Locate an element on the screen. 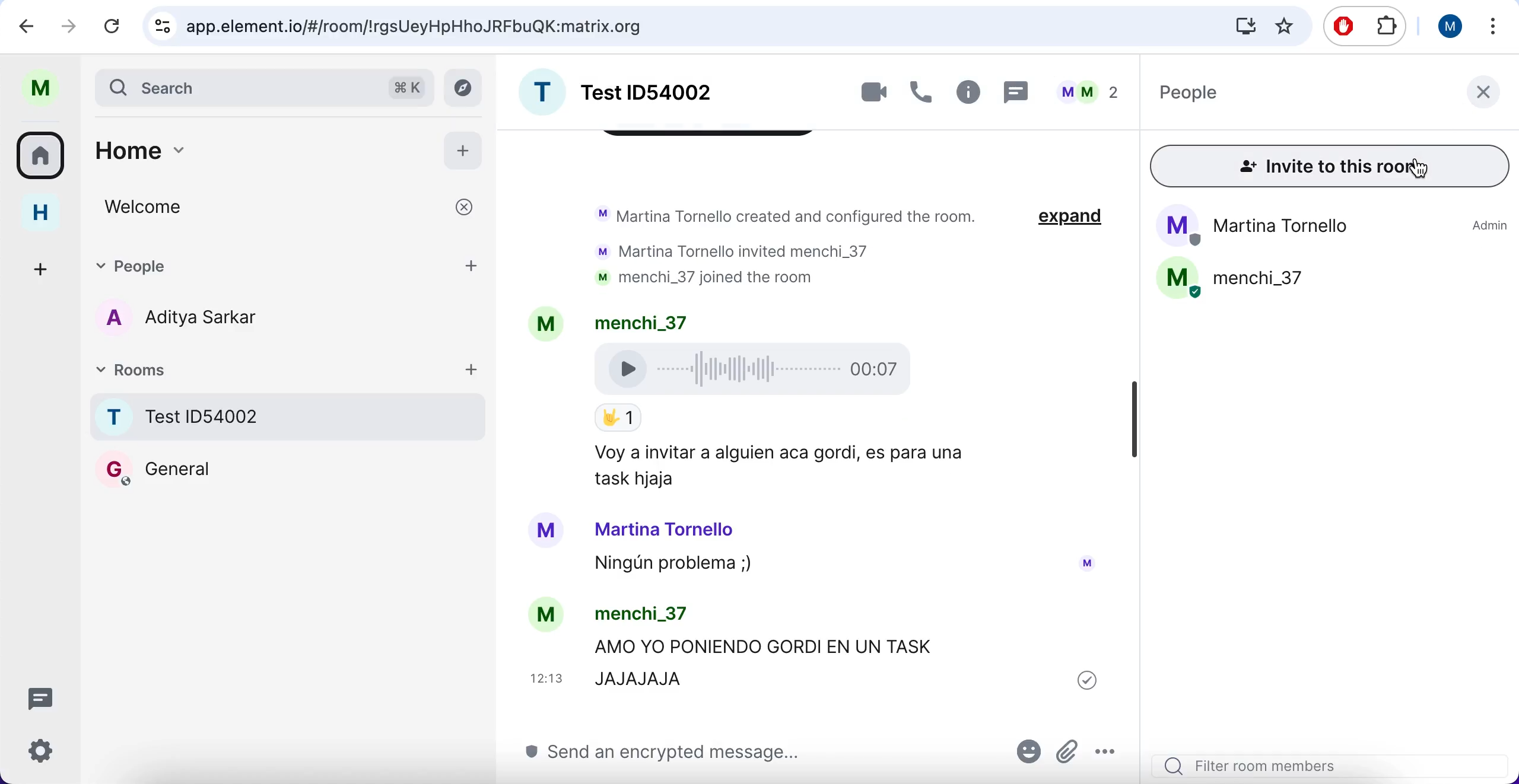 The image size is (1519, 784). home is located at coordinates (253, 151).